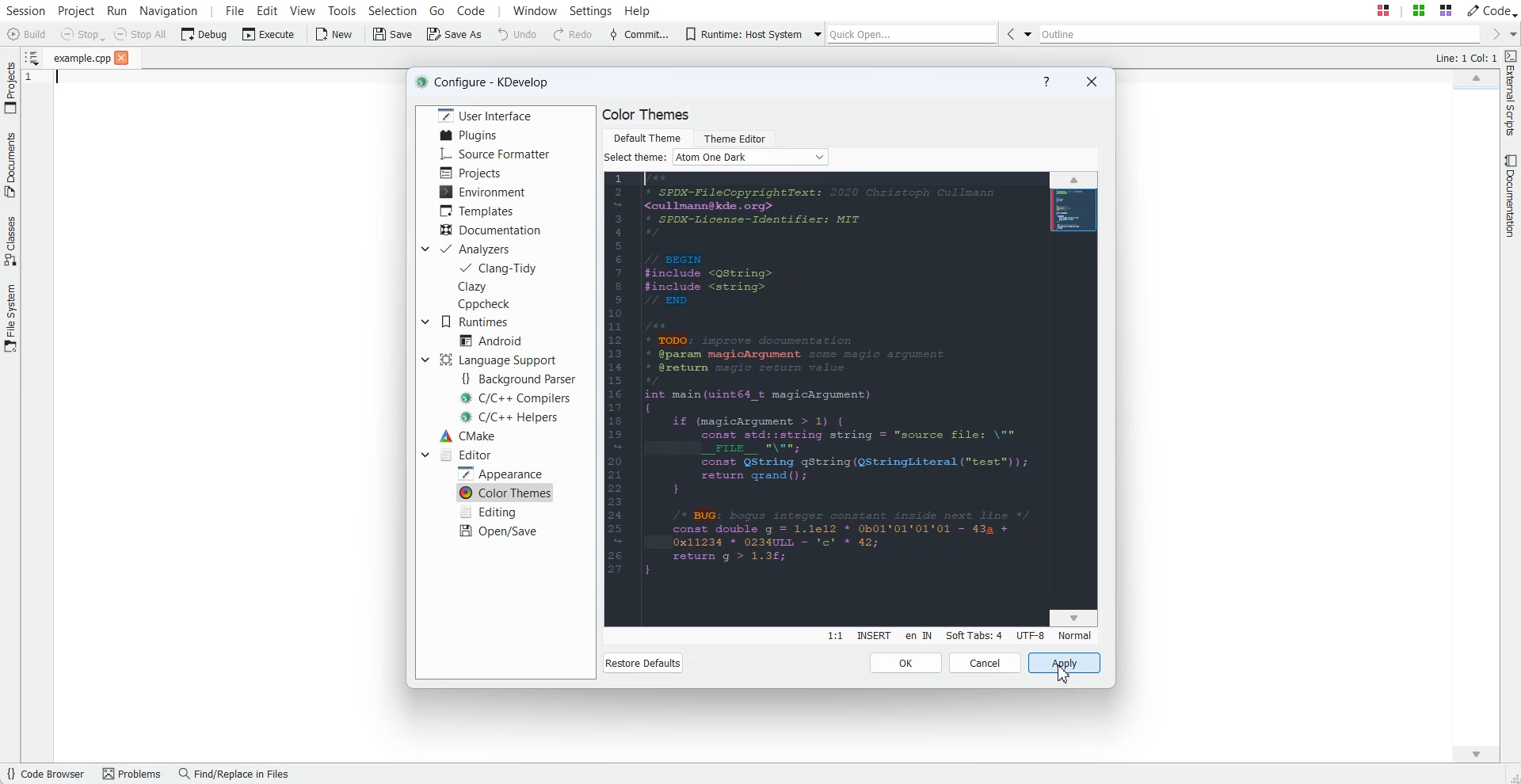  Describe the element at coordinates (55, 82) in the screenshot. I see `Text Cursor` at that location.